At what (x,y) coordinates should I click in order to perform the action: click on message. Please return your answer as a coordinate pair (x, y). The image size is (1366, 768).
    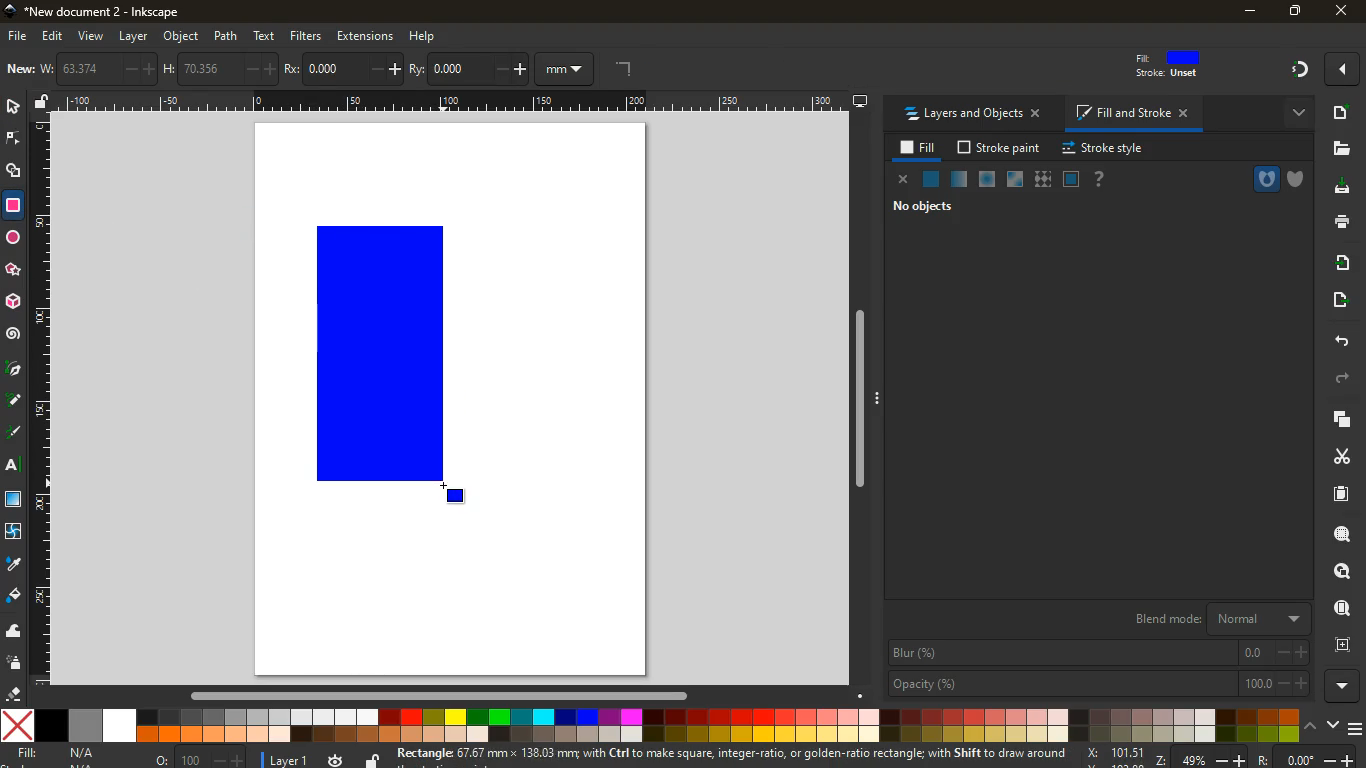
    Looking at the image, I should click on (732, 754).